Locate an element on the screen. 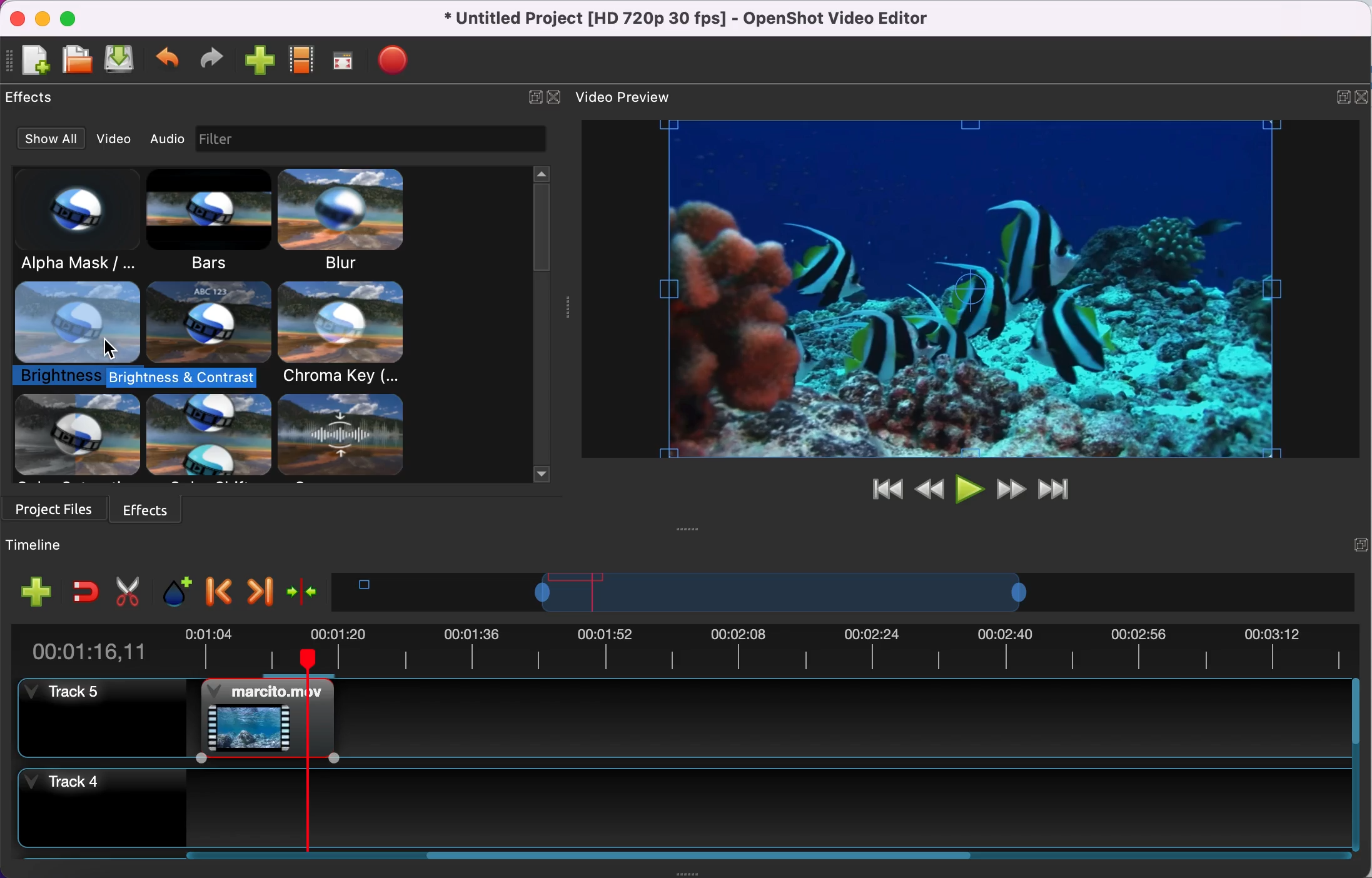  bars is located at coordinates (212, 223).